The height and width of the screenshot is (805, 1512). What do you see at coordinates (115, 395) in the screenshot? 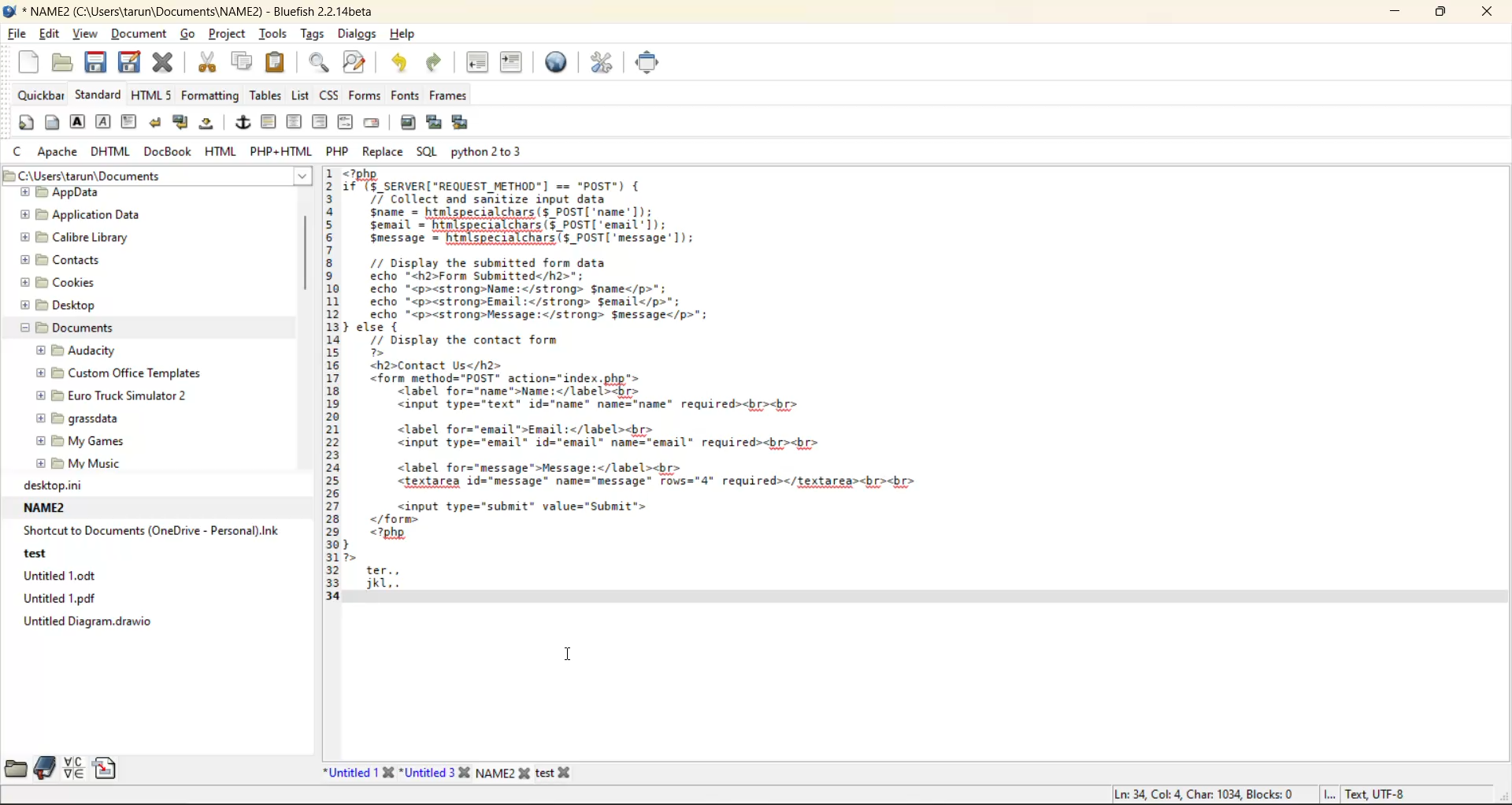
I see `Euro Truck Simulator 2` at bounding box center [115, 395].